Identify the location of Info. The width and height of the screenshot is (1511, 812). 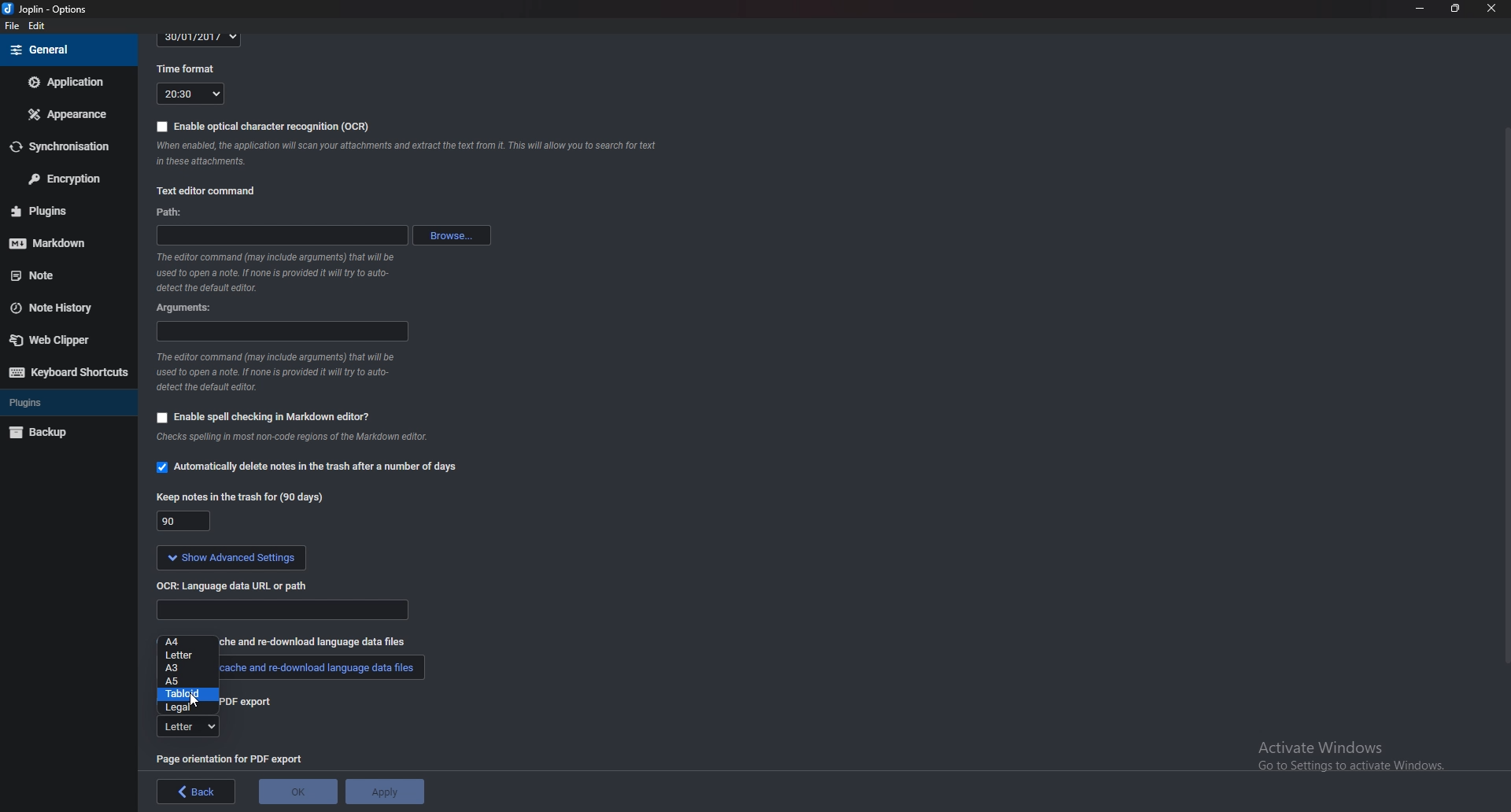
(304, 439).